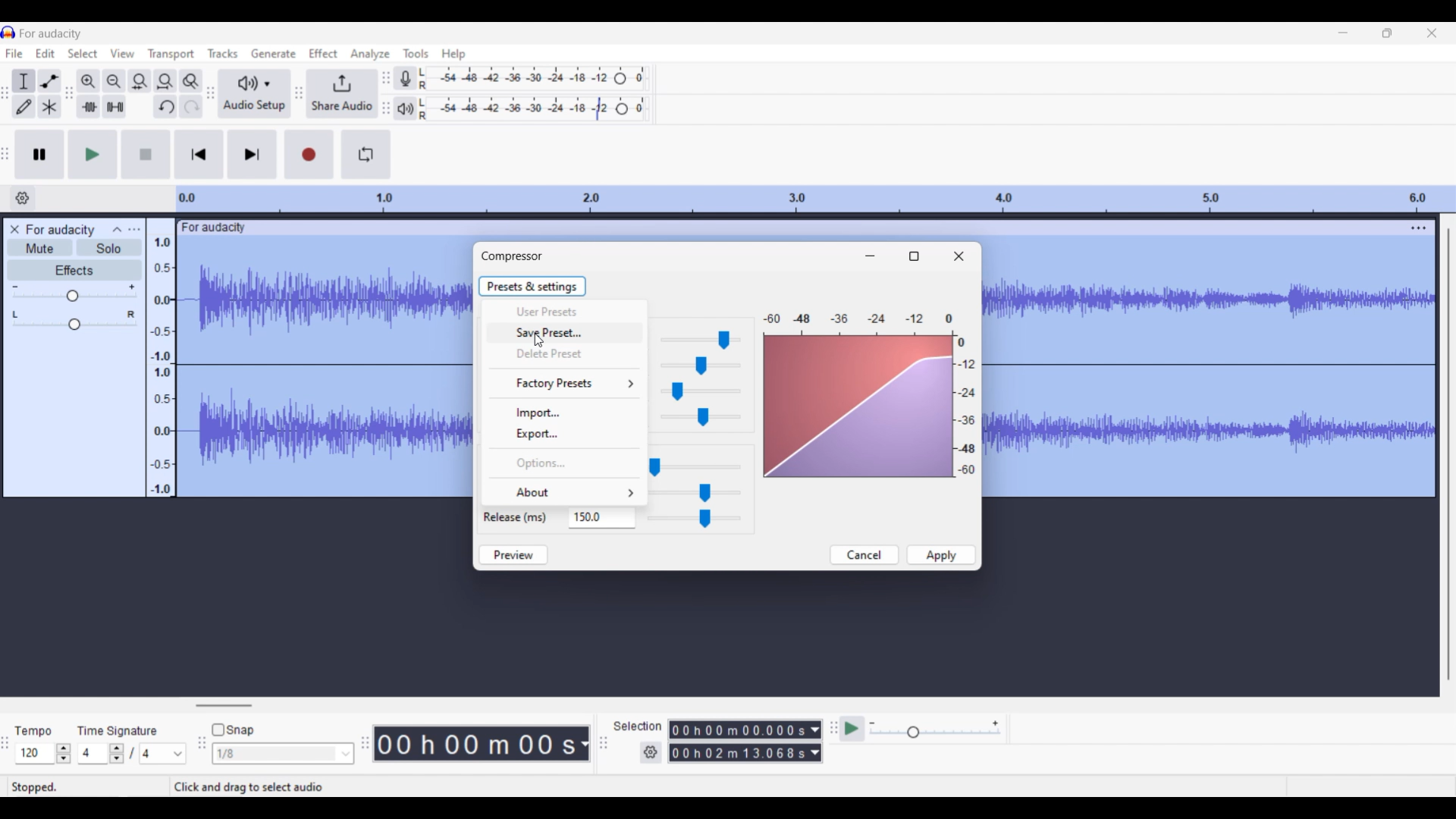 Image resolution: width=1456 pixels, height=819 pixels. Describe the element at coordinates (118, 730) in the screenshot. I see `Time signature` at that location.